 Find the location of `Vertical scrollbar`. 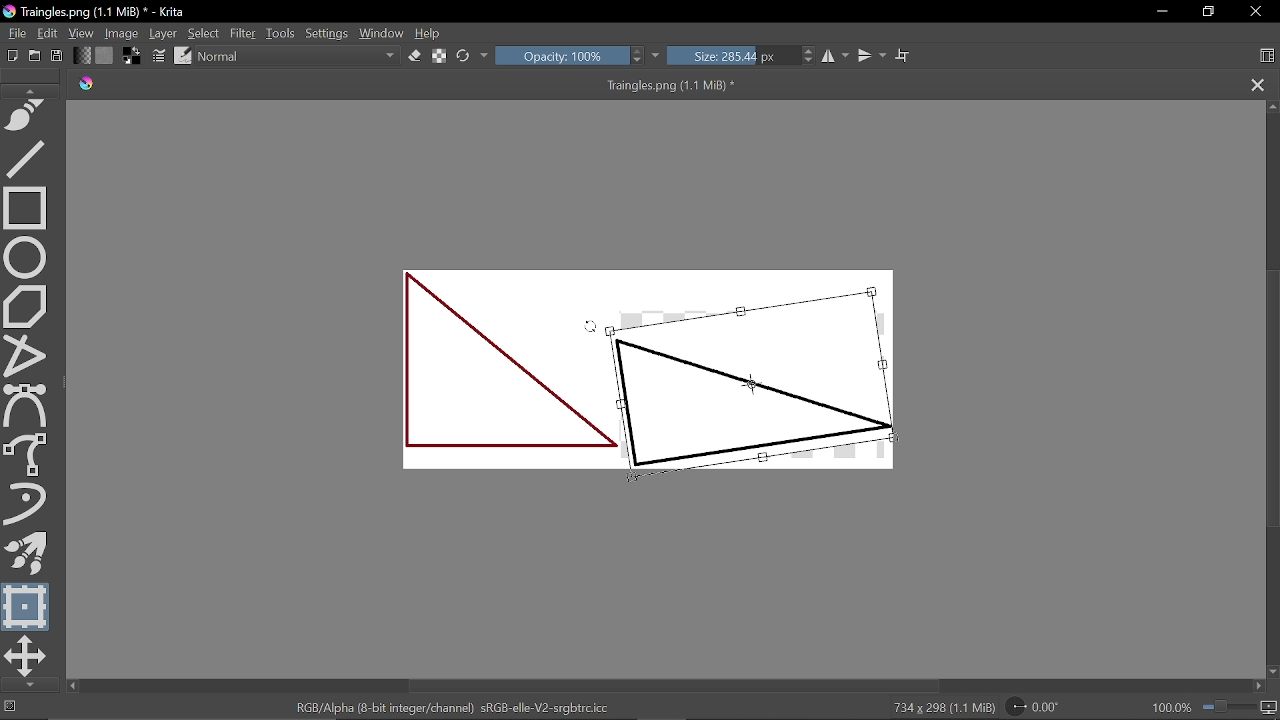

Vertical scrollbar is located at coordinates (1271, 396).